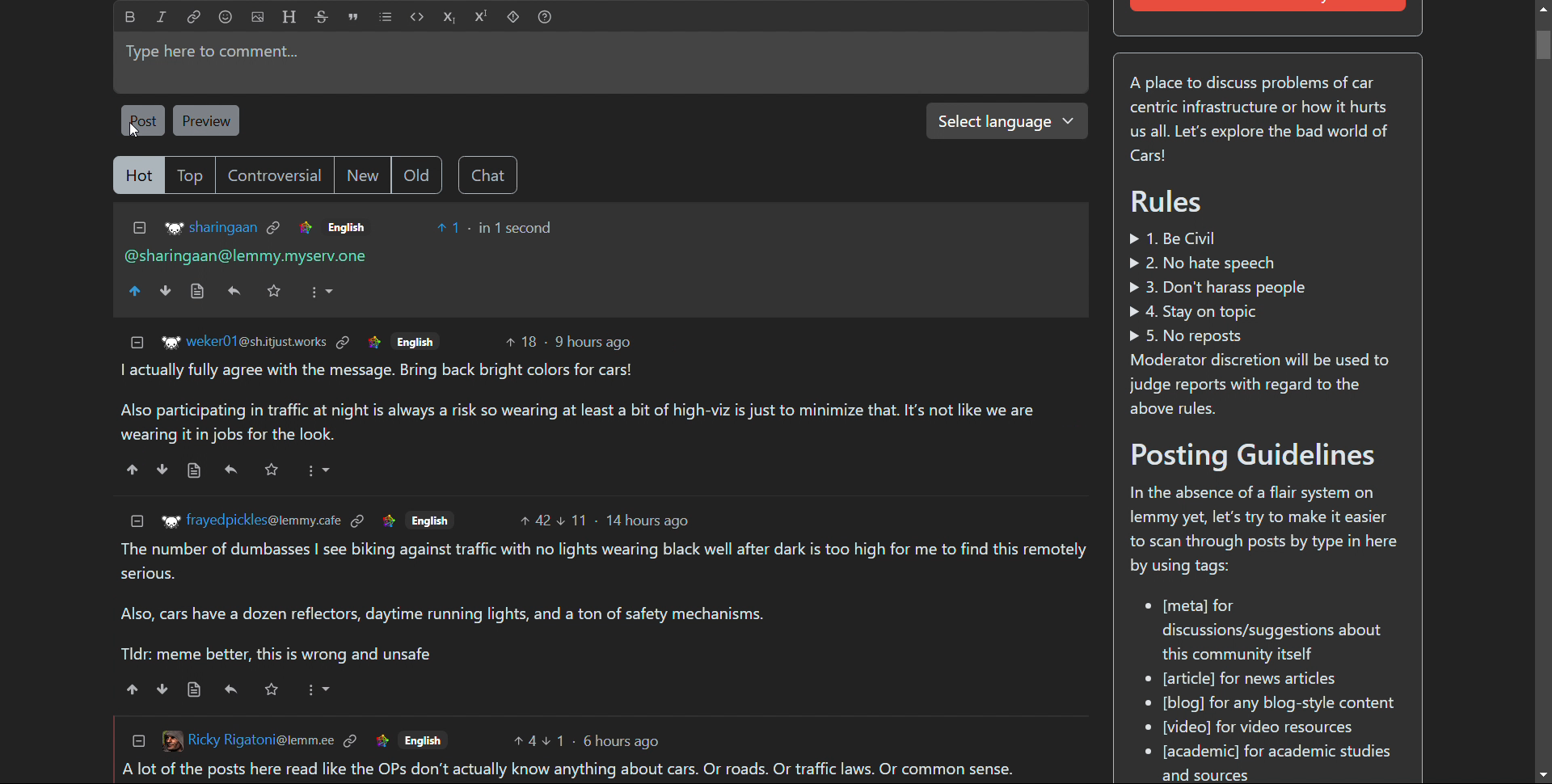 This screenshot has width=1552, height=784. I want to click on Downvote 11, so click(574, 519).